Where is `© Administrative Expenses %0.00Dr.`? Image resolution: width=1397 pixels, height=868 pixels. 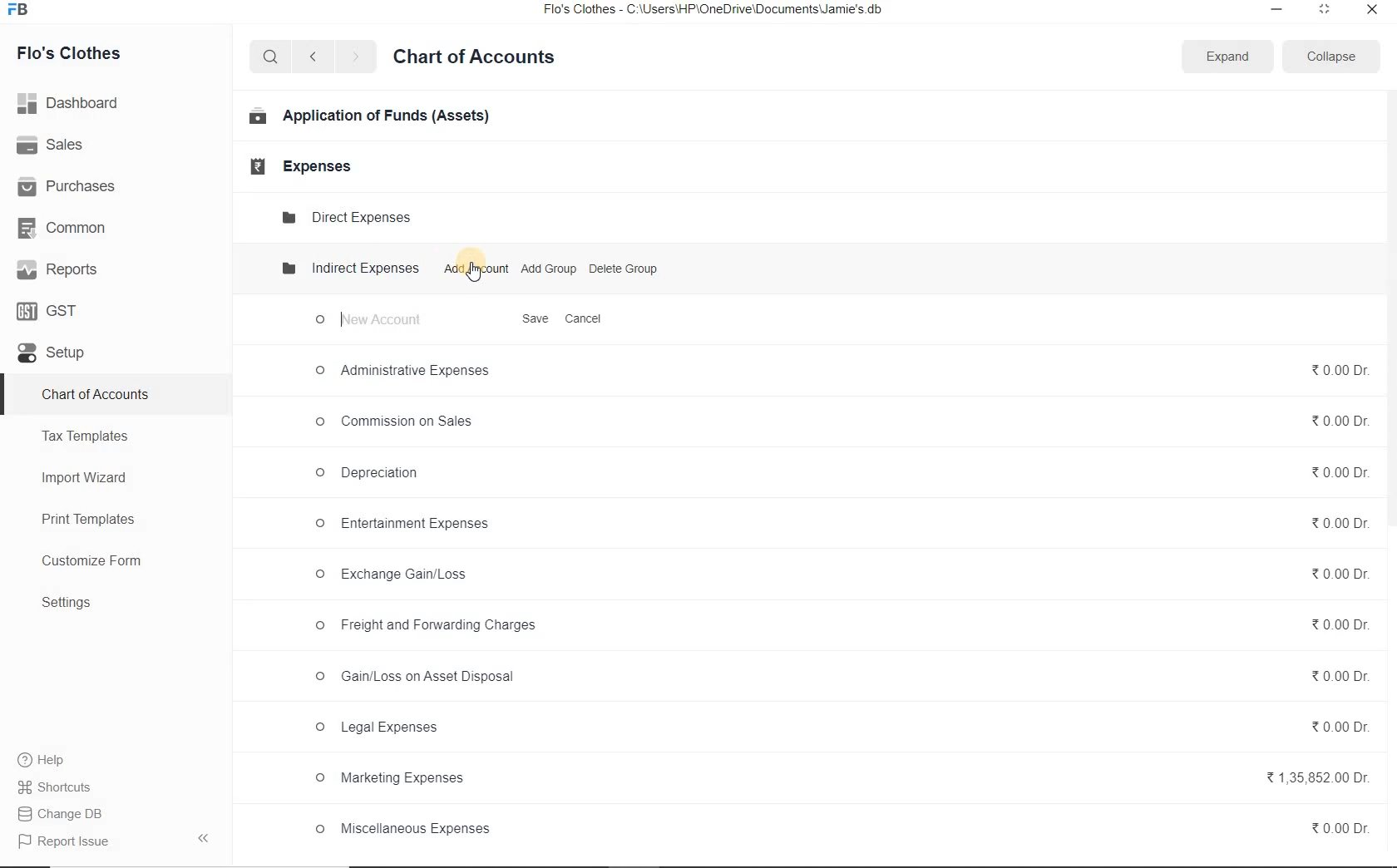
© Administrative Expenses %0.00Dr. is located at coordinates (838, 372).